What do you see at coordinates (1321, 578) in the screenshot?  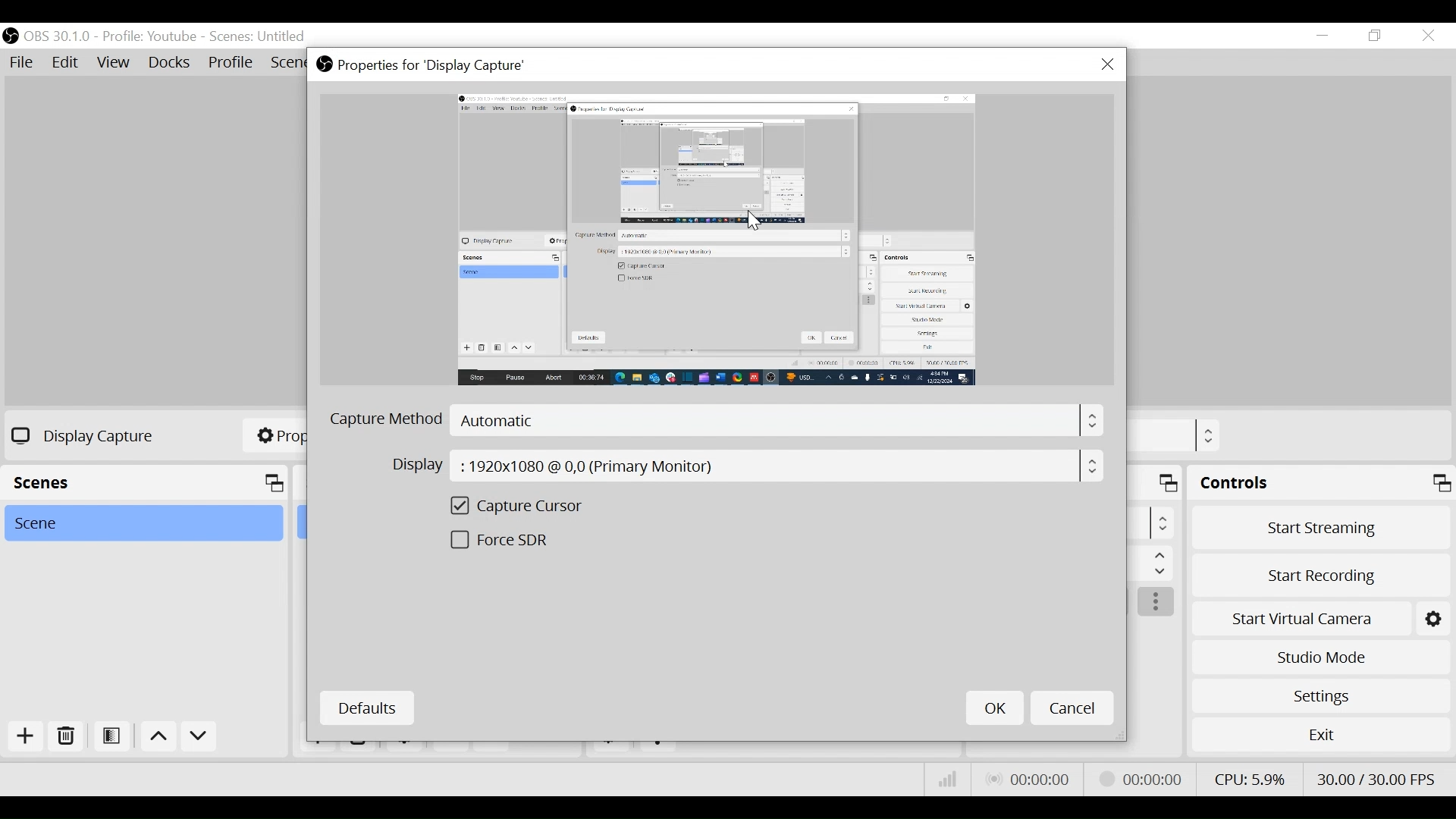 I see `Start Recording` at bounding box center [1321, 578].